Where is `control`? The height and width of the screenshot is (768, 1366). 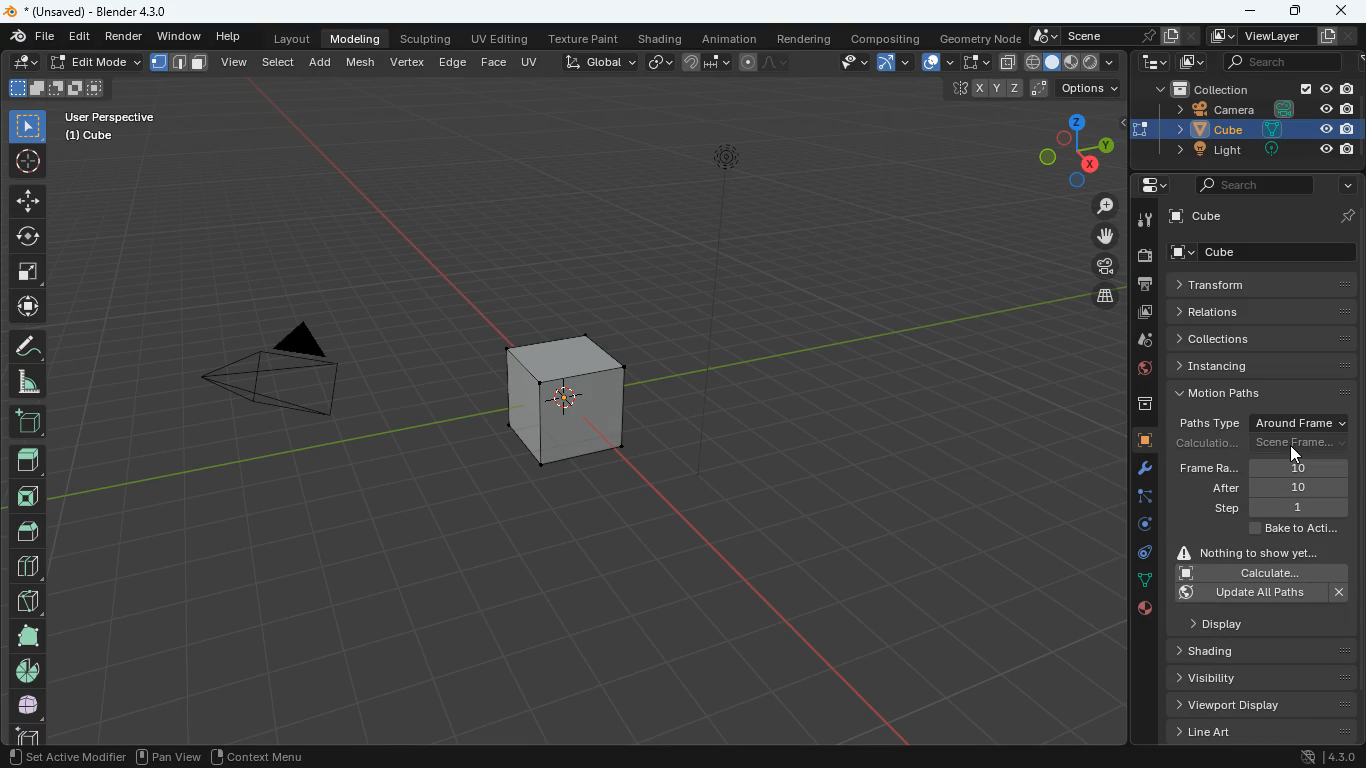 control is located at coordinates (1139, 556).